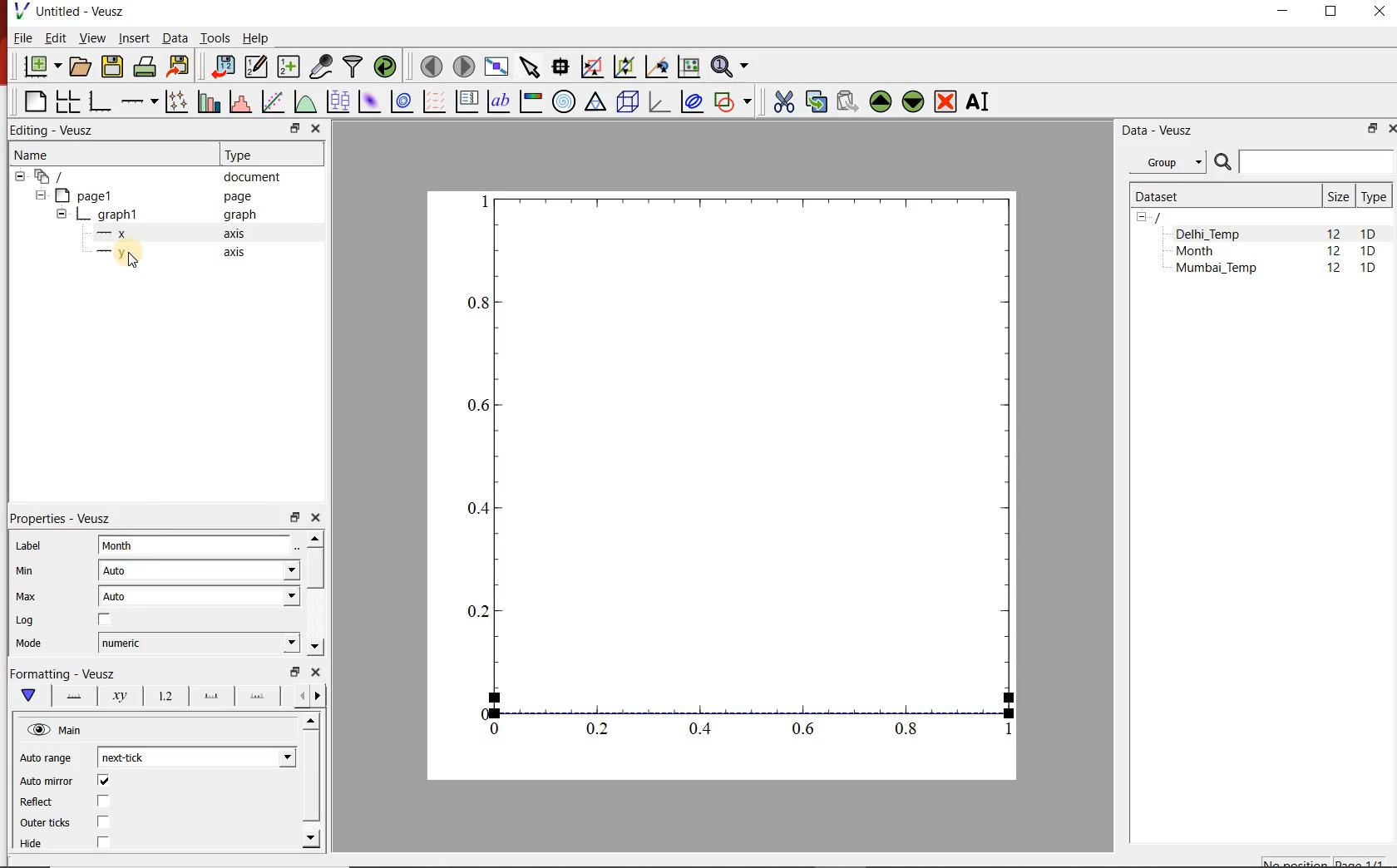 This screenshot has height=868, width=1397. What do you see at coordinates (314, 518) in the screenshot?
I see `close` at bounding box center [314, 518].